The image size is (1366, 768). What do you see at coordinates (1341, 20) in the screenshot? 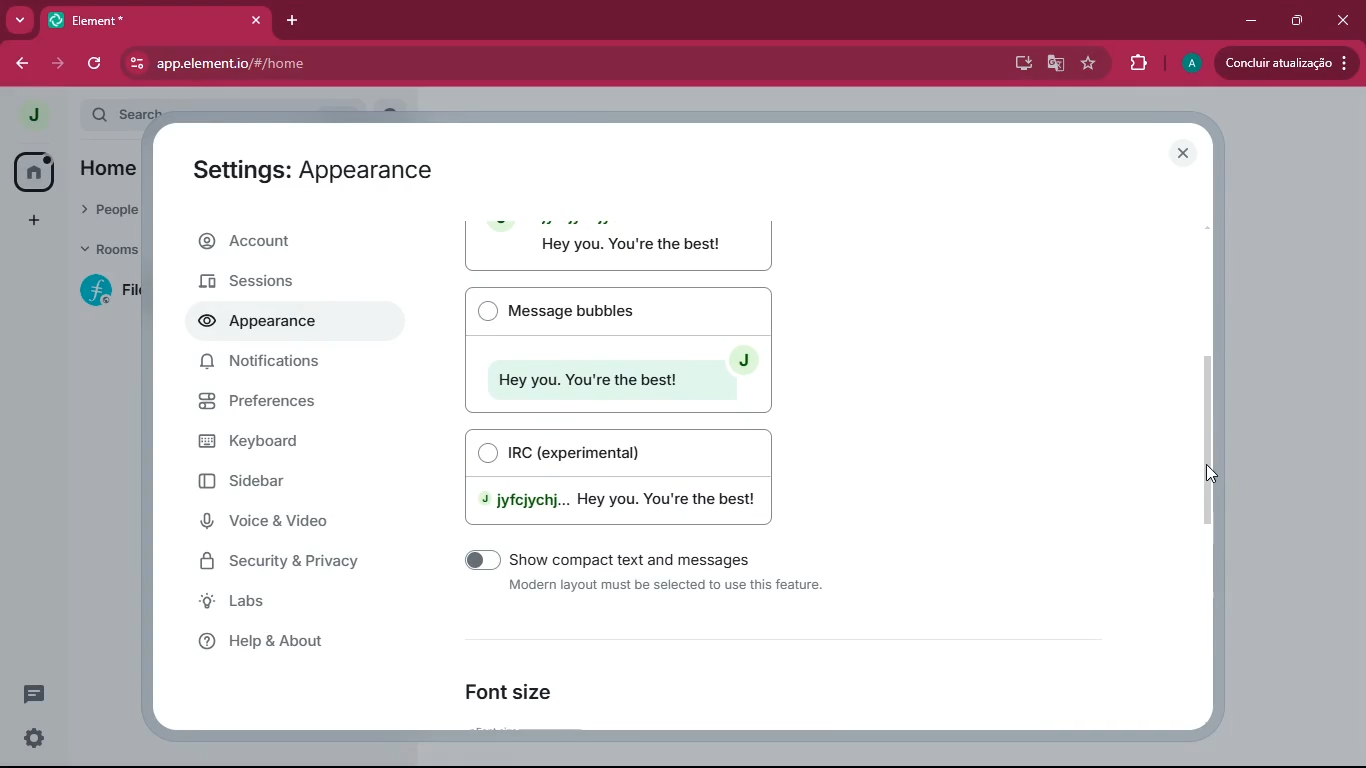
I see `close` at bounding box center [1341, 20].